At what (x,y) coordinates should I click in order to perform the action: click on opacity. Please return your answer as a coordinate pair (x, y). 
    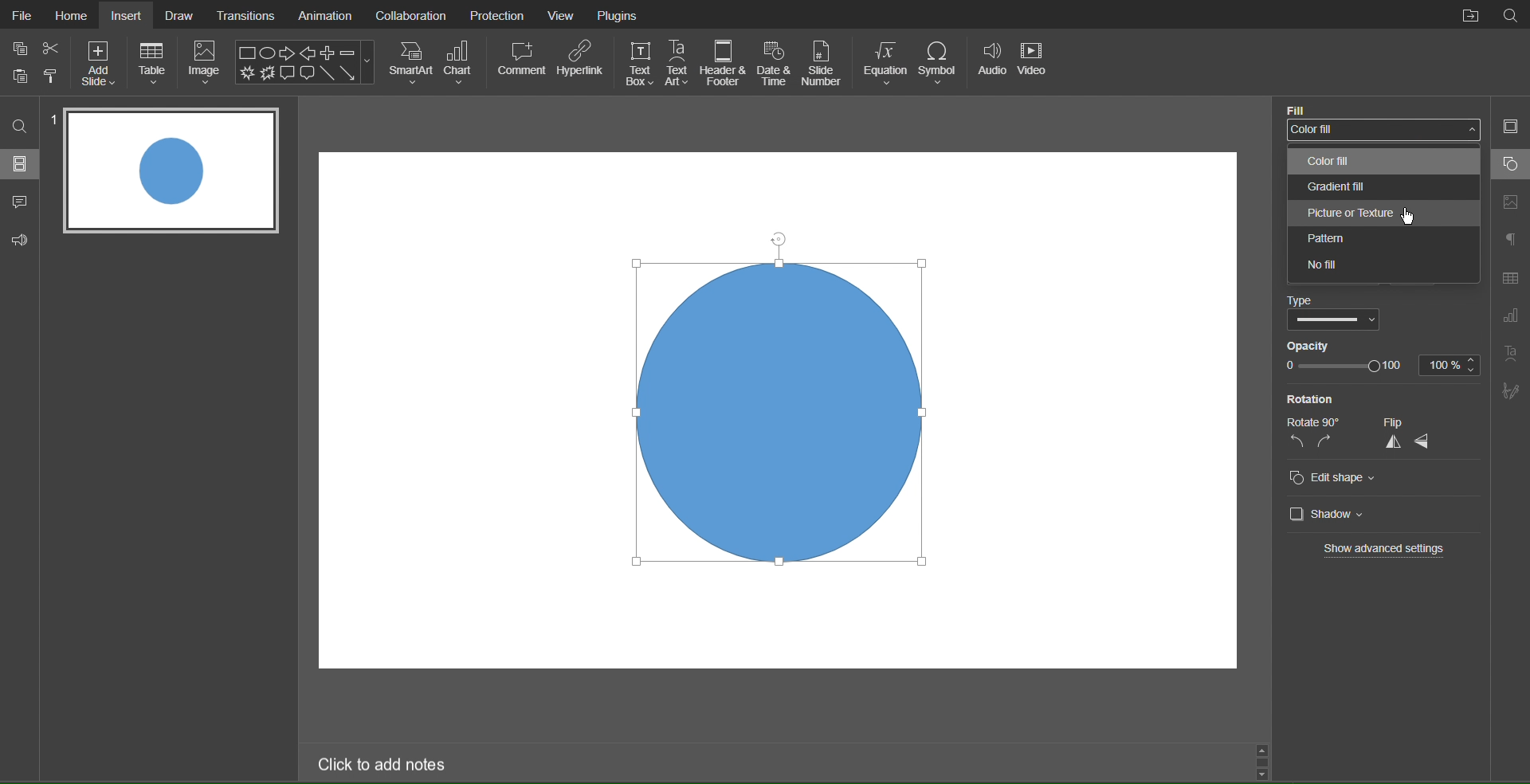
    Looking at the image, I should click on (1315, 346).